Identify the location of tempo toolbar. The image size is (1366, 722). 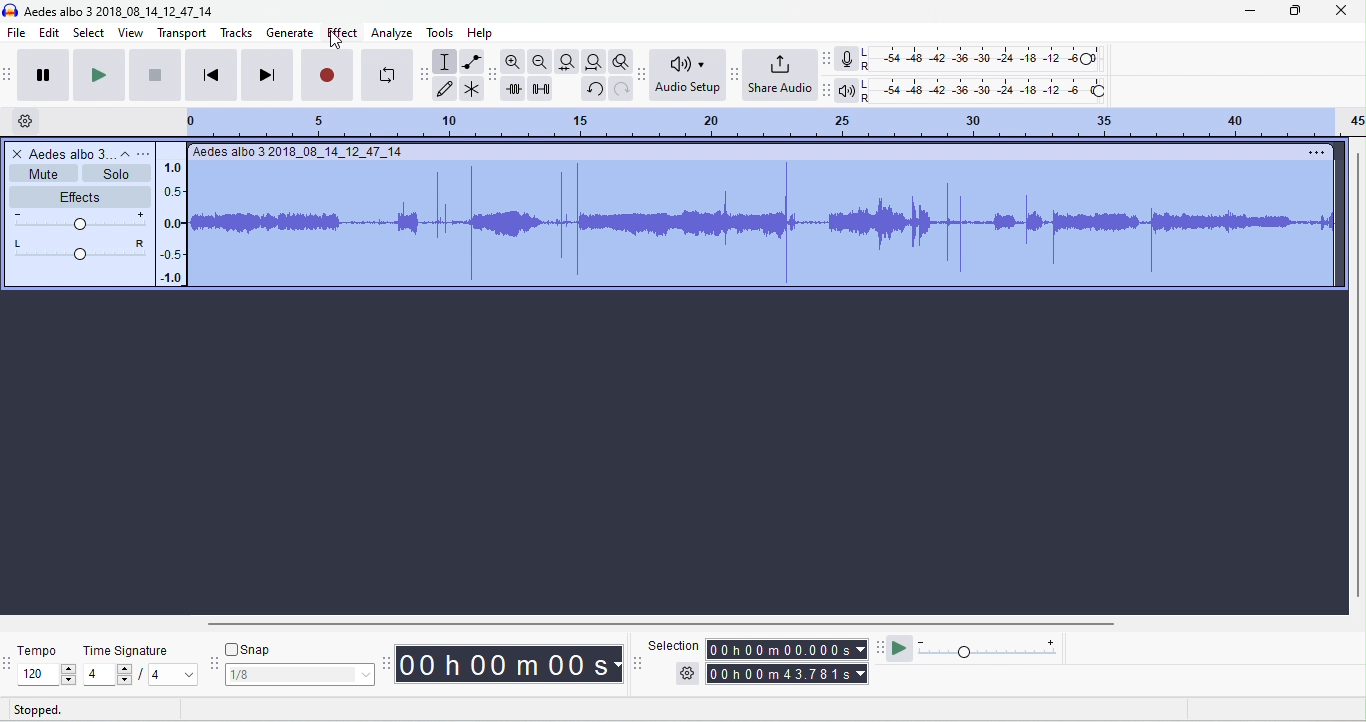
(9, 662).